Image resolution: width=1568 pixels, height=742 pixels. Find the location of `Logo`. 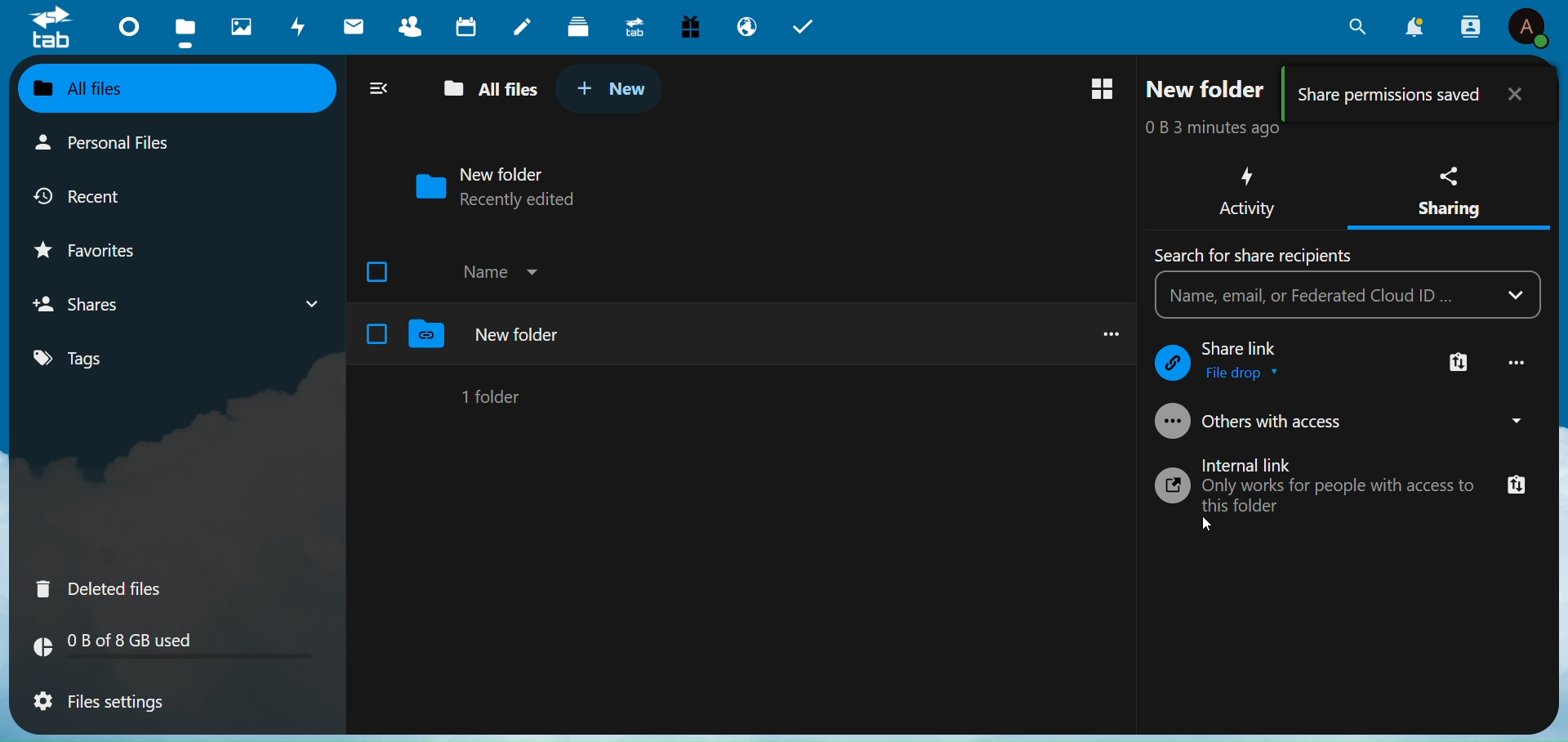

Logo is located at coordinates (52, 30).